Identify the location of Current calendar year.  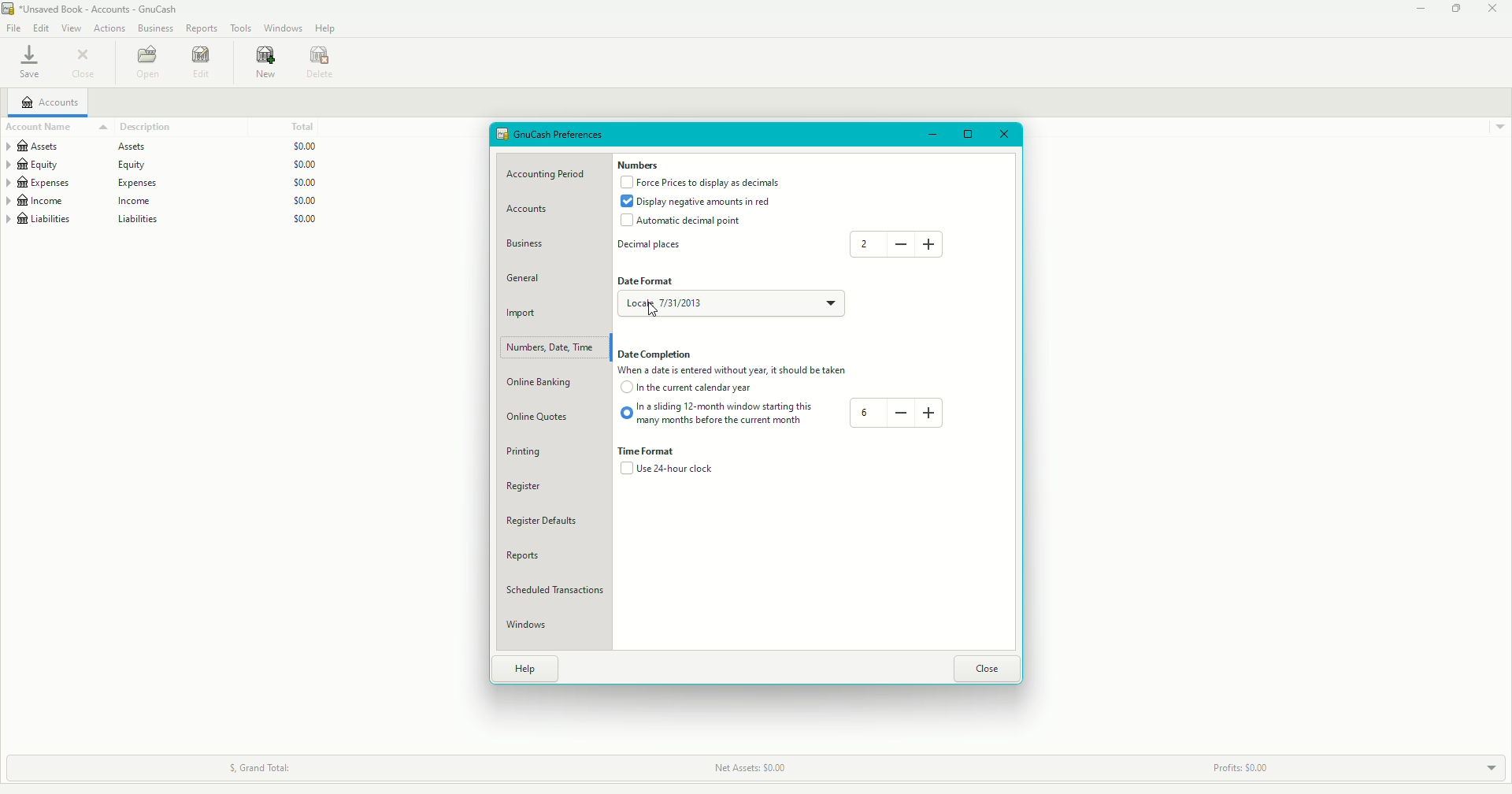
(690, 391).